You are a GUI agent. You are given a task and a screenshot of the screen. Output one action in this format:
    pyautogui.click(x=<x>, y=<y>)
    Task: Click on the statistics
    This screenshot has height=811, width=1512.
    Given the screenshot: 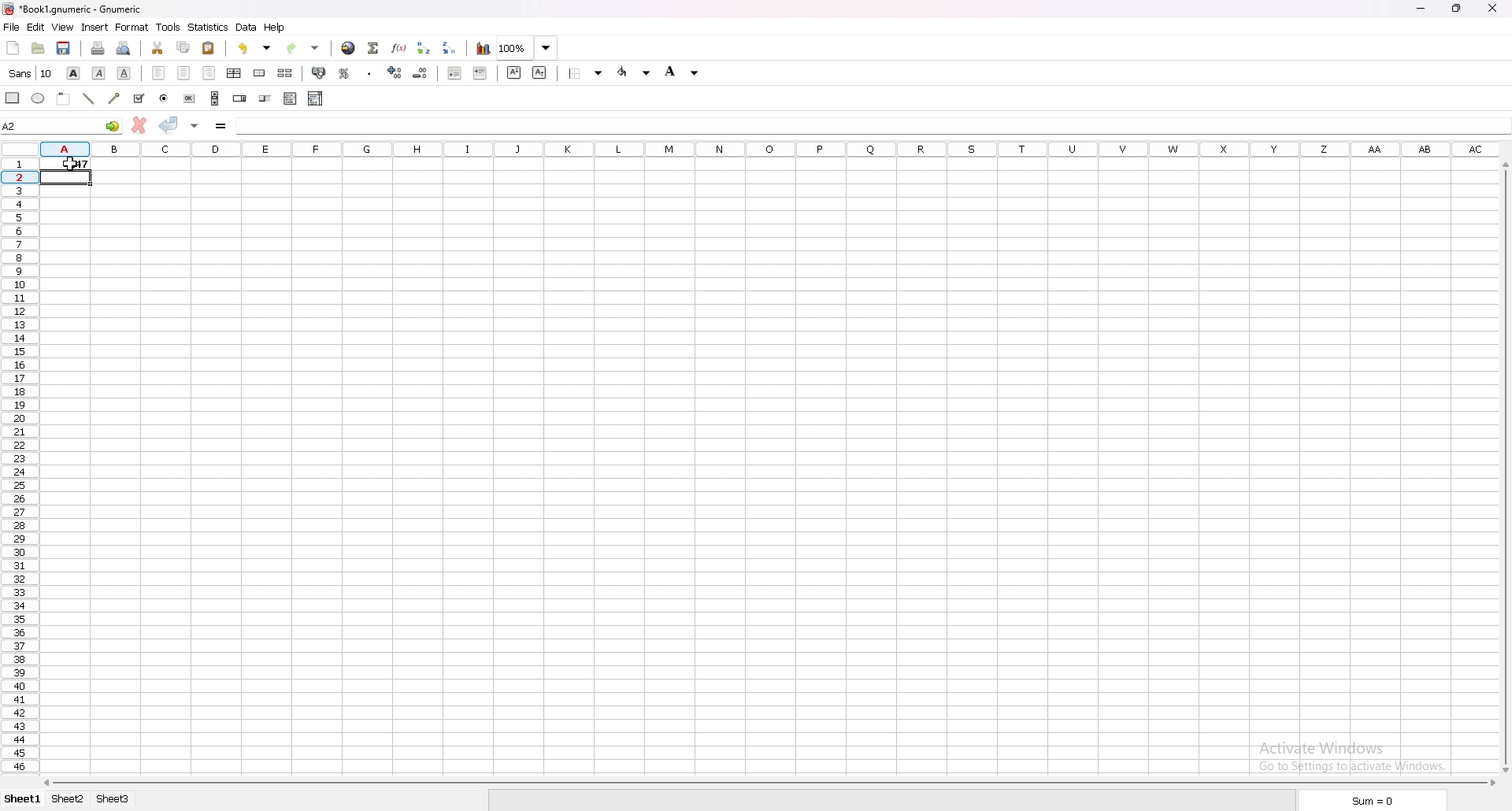 What is the action you would take?
    pyautogui.click(x=209, y=27)
    